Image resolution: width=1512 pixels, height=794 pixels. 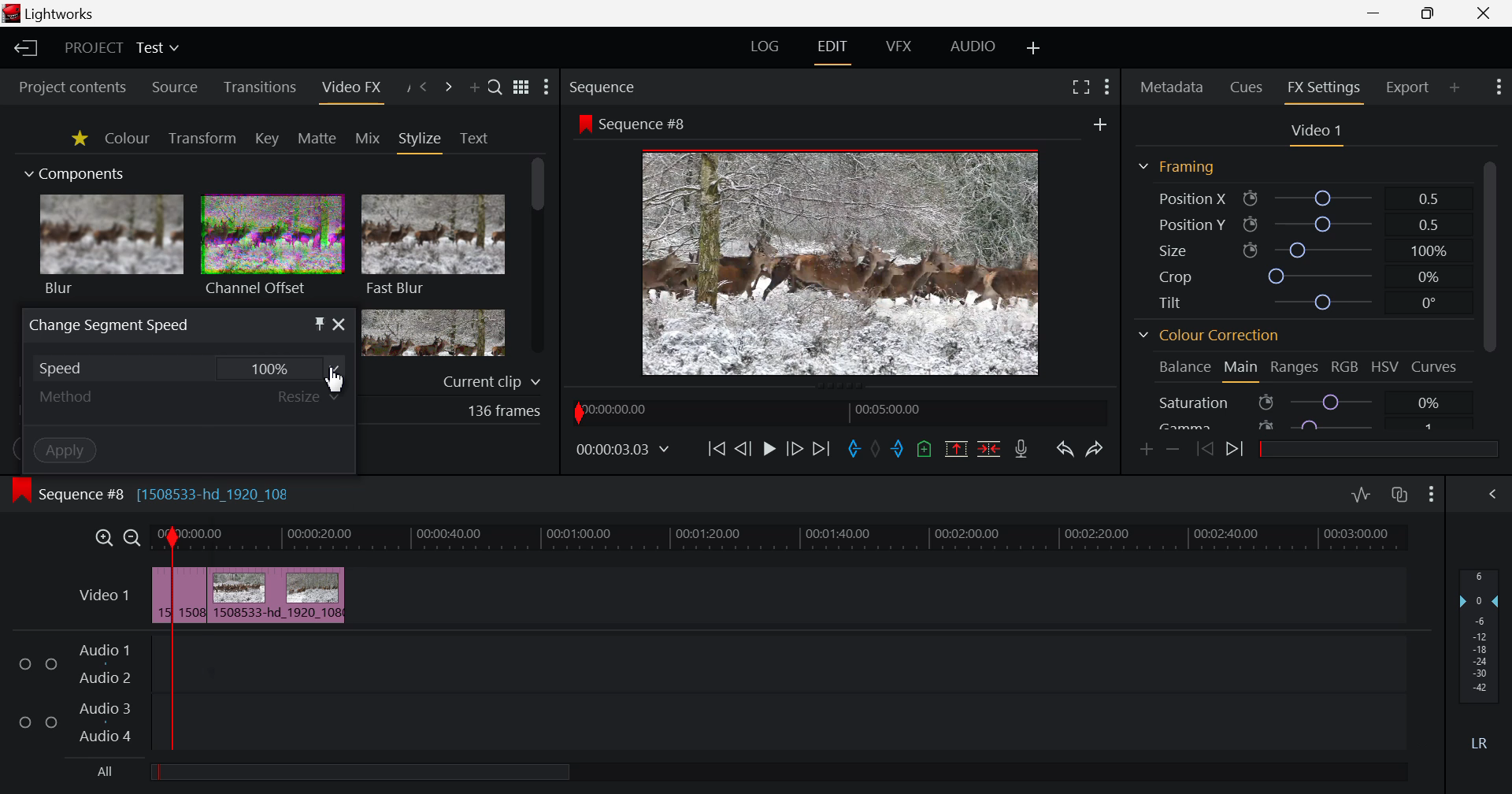 What do you see at coordinates (1147, 451) in the screenshot?
I see `Add keyframe` at bounding box center [1147, 451].